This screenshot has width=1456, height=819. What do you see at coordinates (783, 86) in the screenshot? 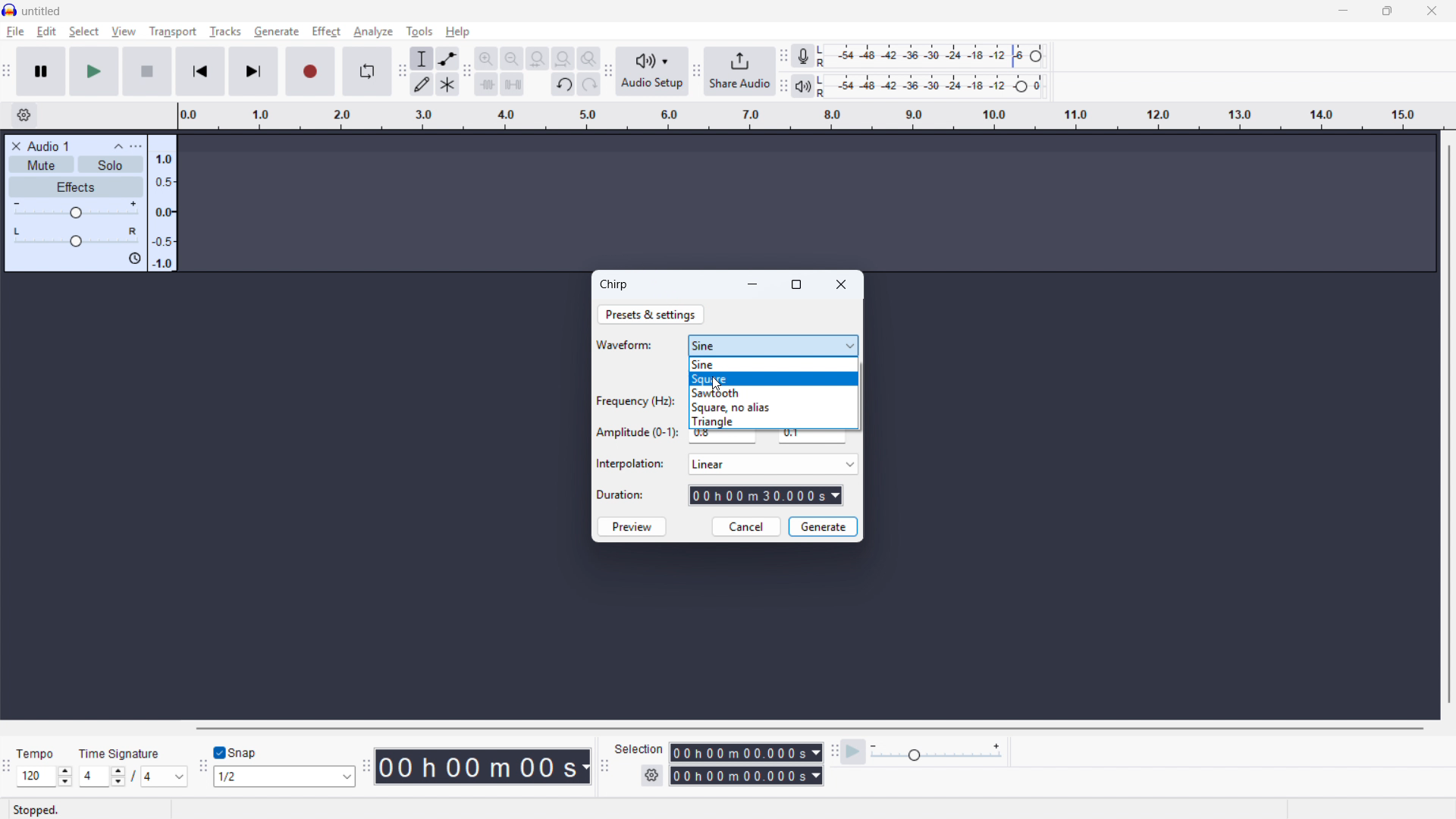
I see `Playback metre toolbar ` at bounding box center [783, 86].